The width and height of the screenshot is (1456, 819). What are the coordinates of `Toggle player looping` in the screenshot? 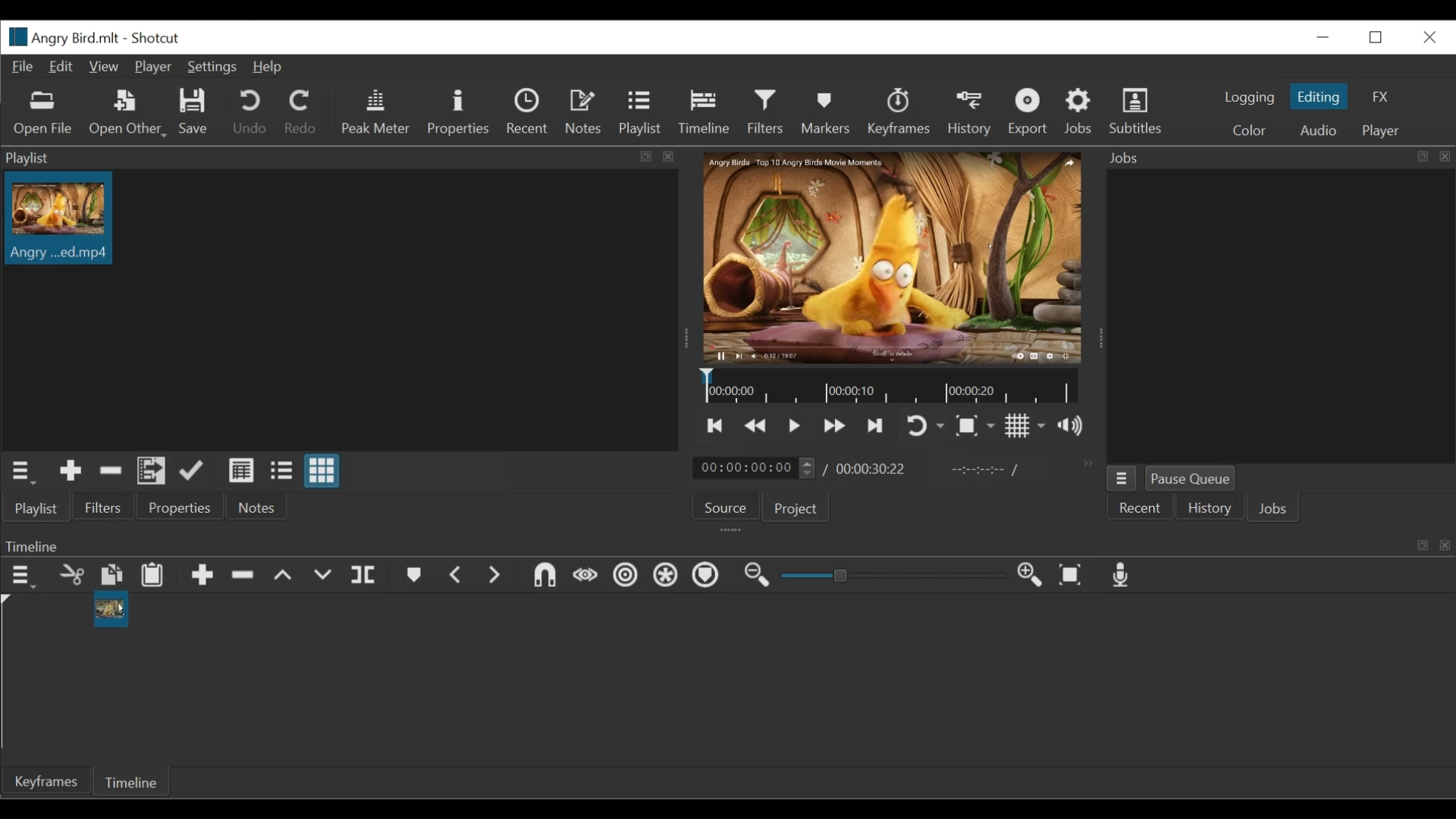 It's located at (925, 427).